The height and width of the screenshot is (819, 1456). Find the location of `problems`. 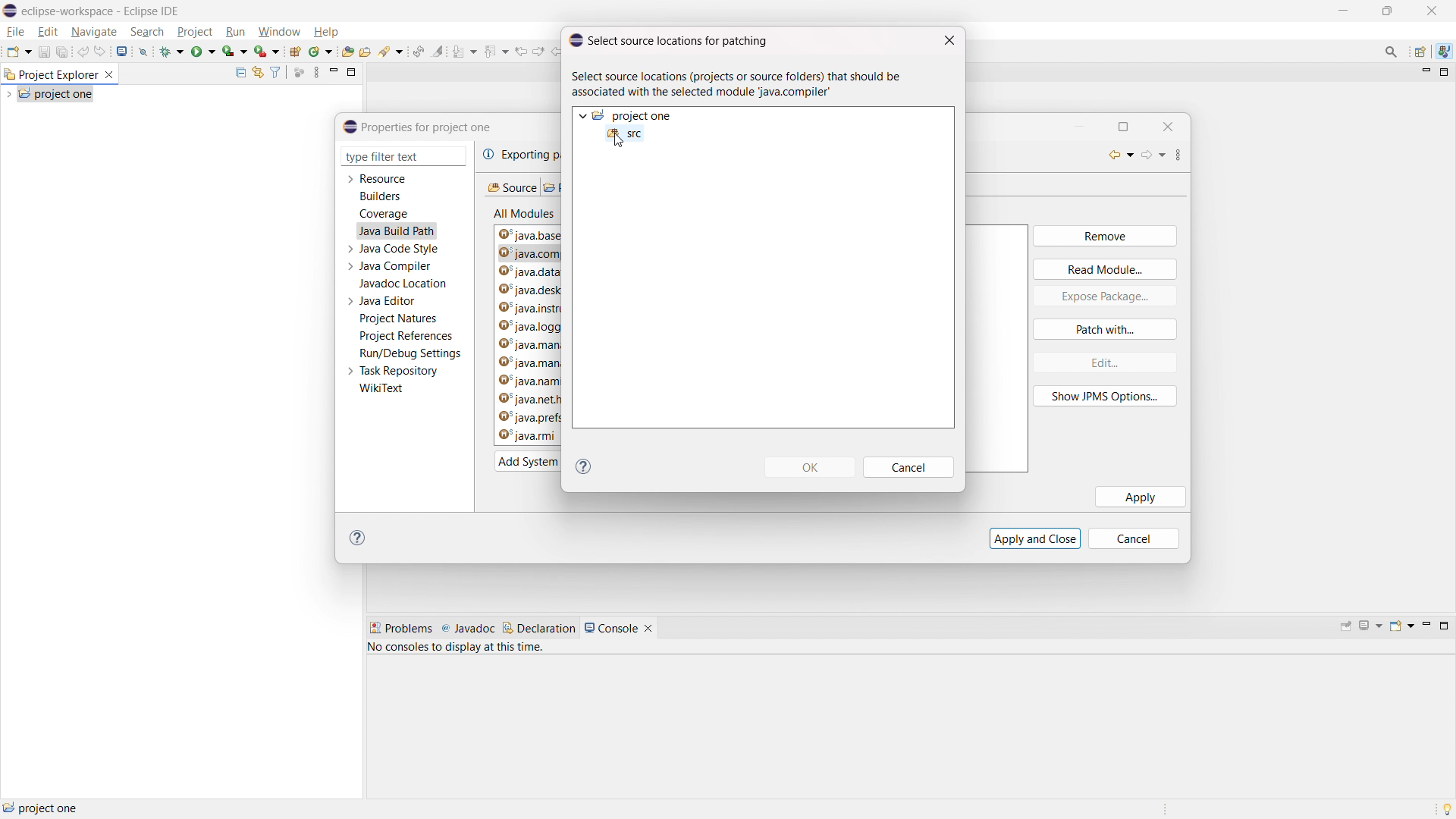

problems is located at coordinates (400, 629).